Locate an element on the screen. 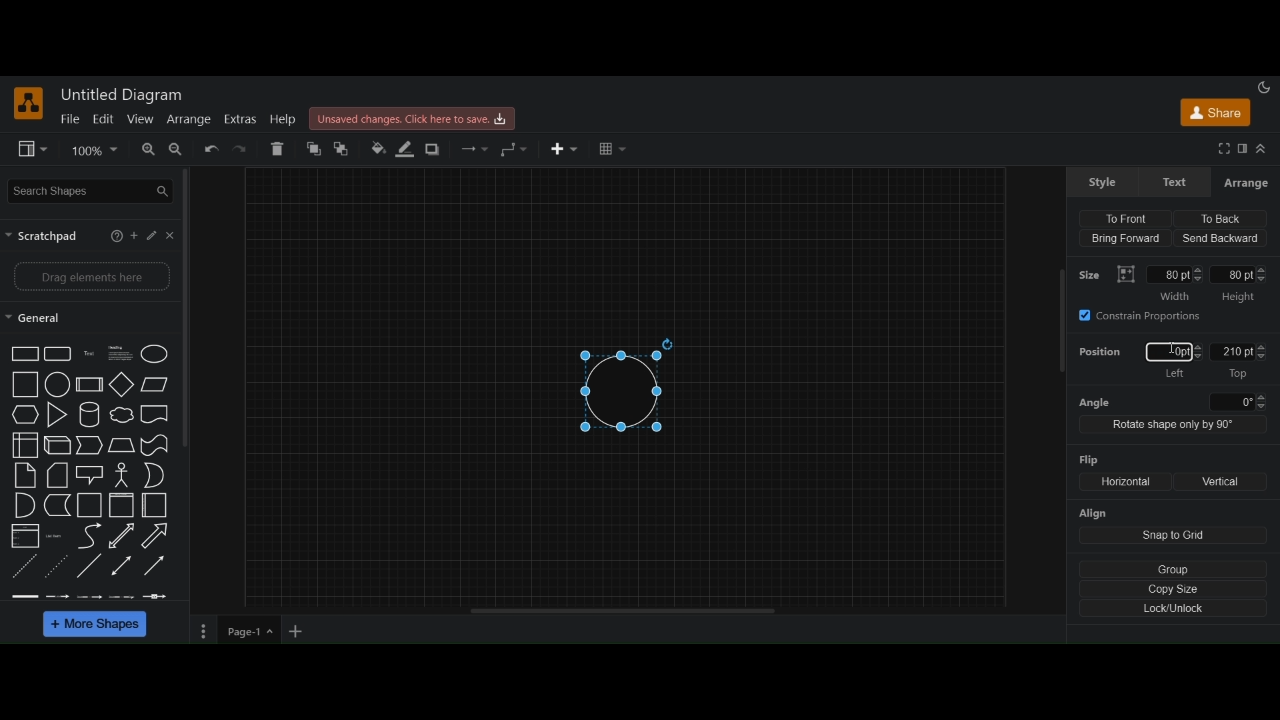  diamond is located at coordinates (123, 386).